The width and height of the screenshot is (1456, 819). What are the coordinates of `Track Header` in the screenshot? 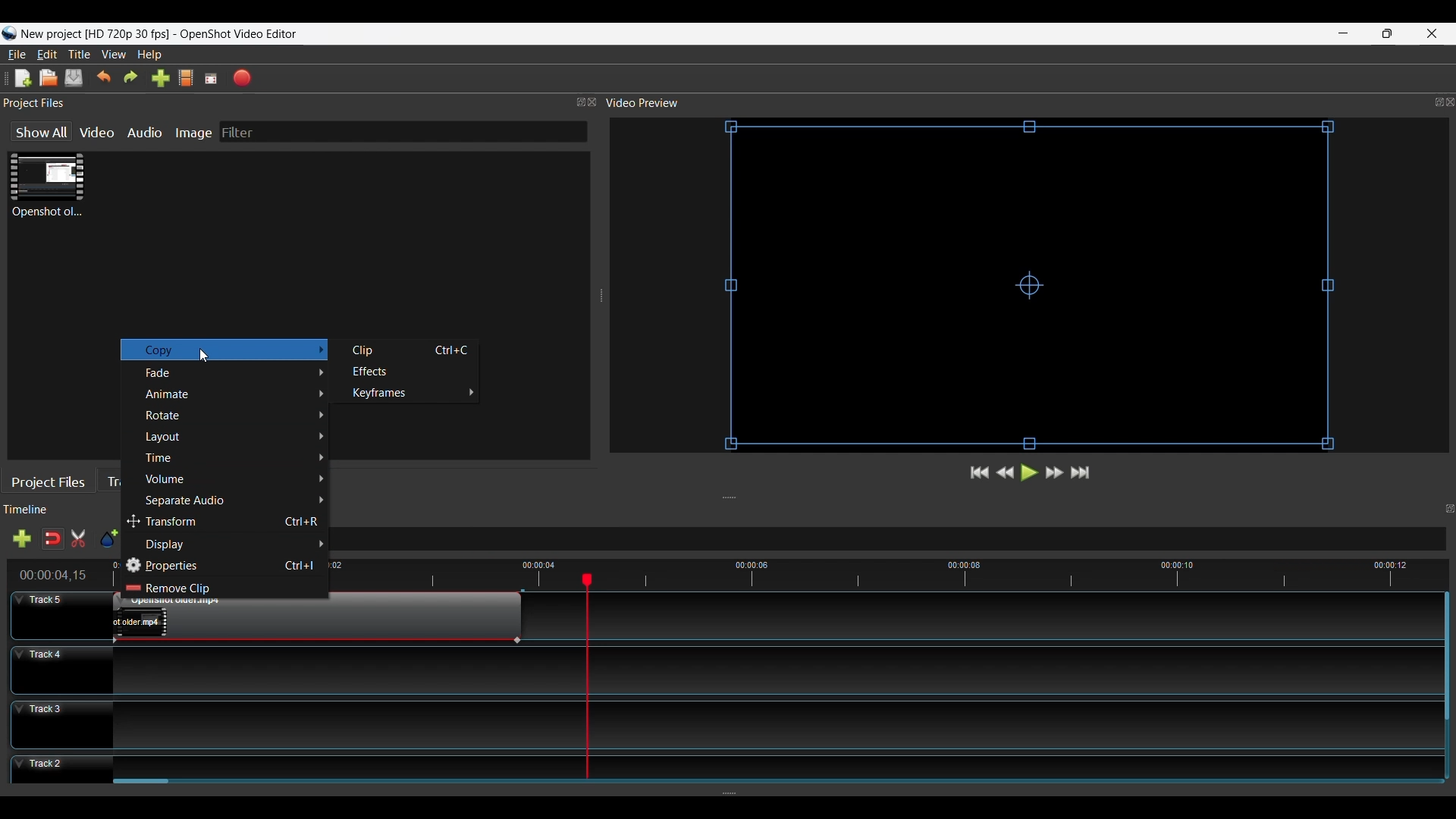 It's located at (61, 771).